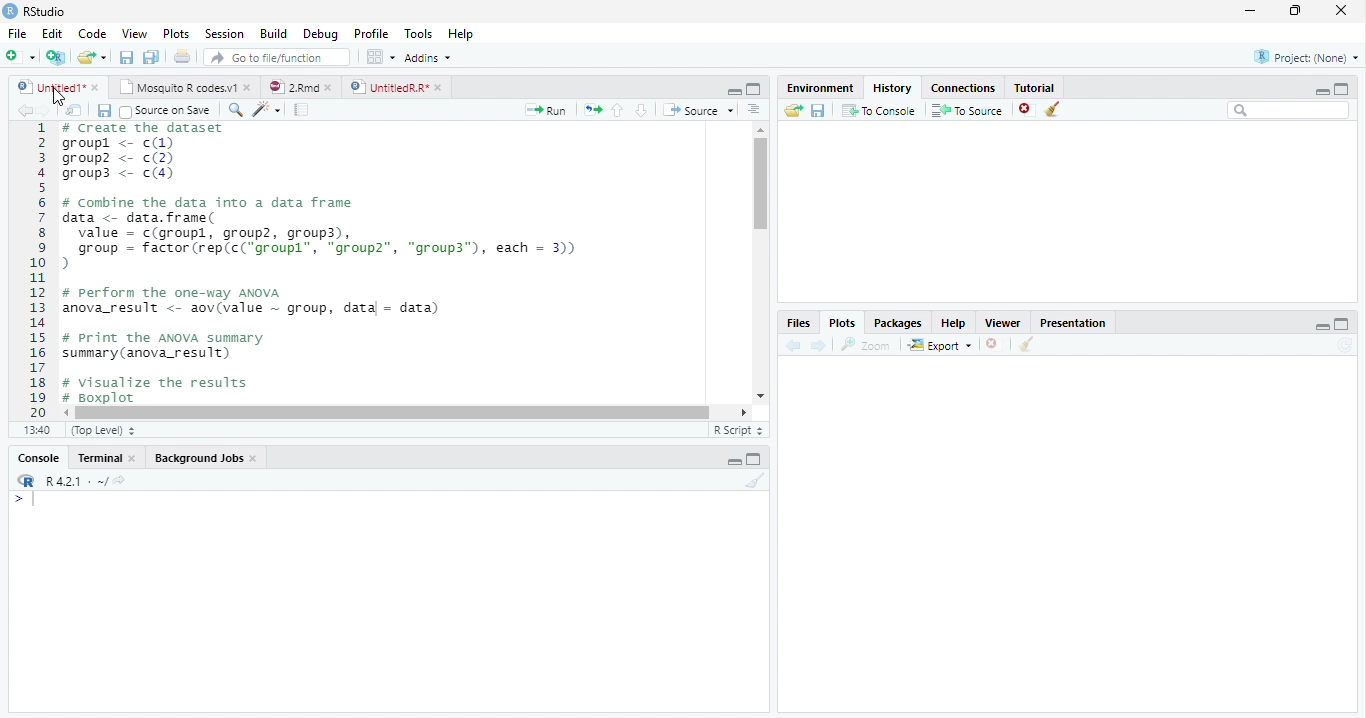 The height and width of the screenshot is (718, 1366). Describe the element at coordinates (1289, 111) in the screenshot. I see `Search` at that location.